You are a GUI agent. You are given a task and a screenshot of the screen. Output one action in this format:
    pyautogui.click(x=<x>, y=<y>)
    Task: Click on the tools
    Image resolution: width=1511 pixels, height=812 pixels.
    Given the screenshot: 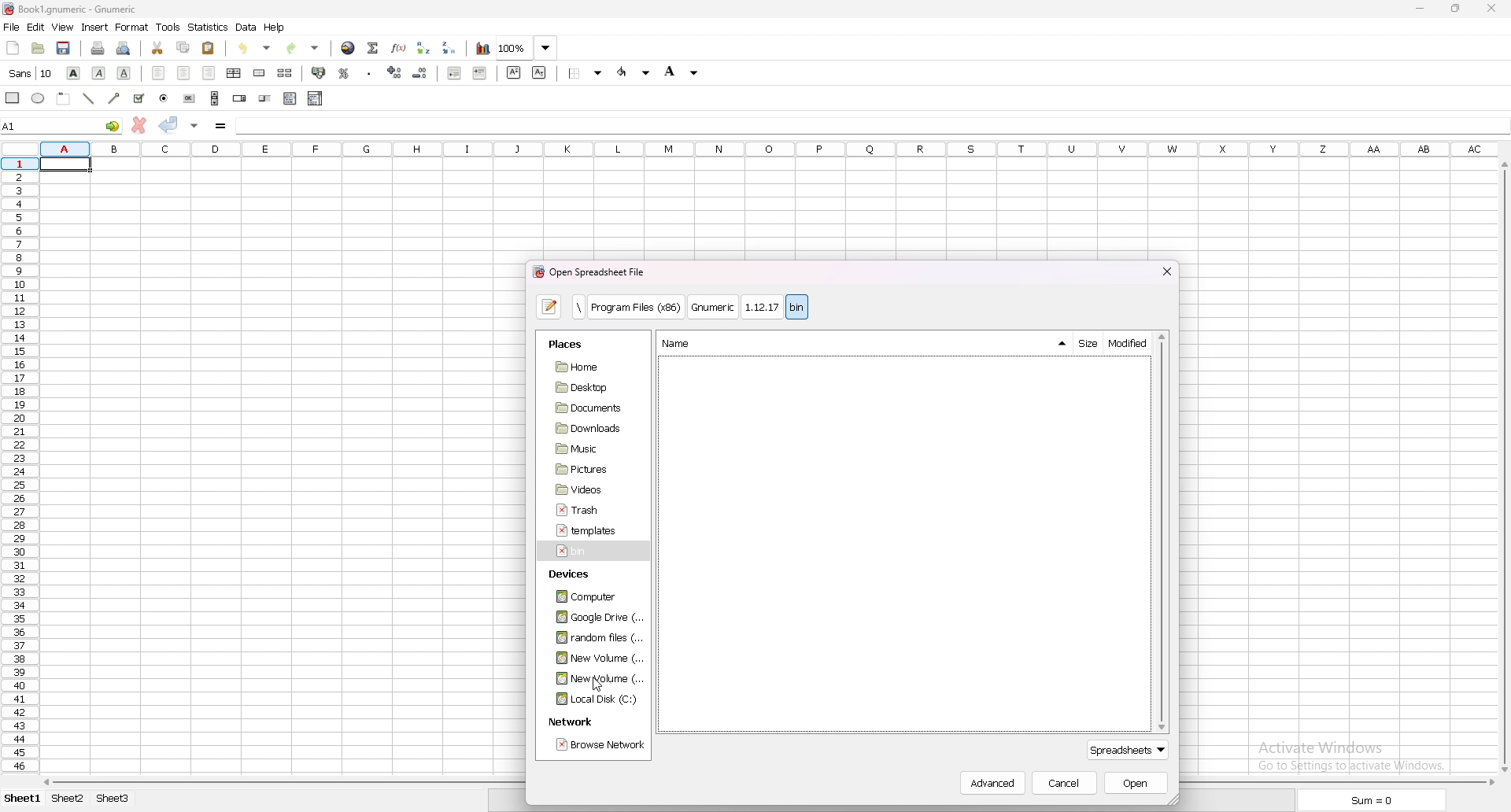 What is the action you would take?
    pyautogui.click(x=168, y=28)
    